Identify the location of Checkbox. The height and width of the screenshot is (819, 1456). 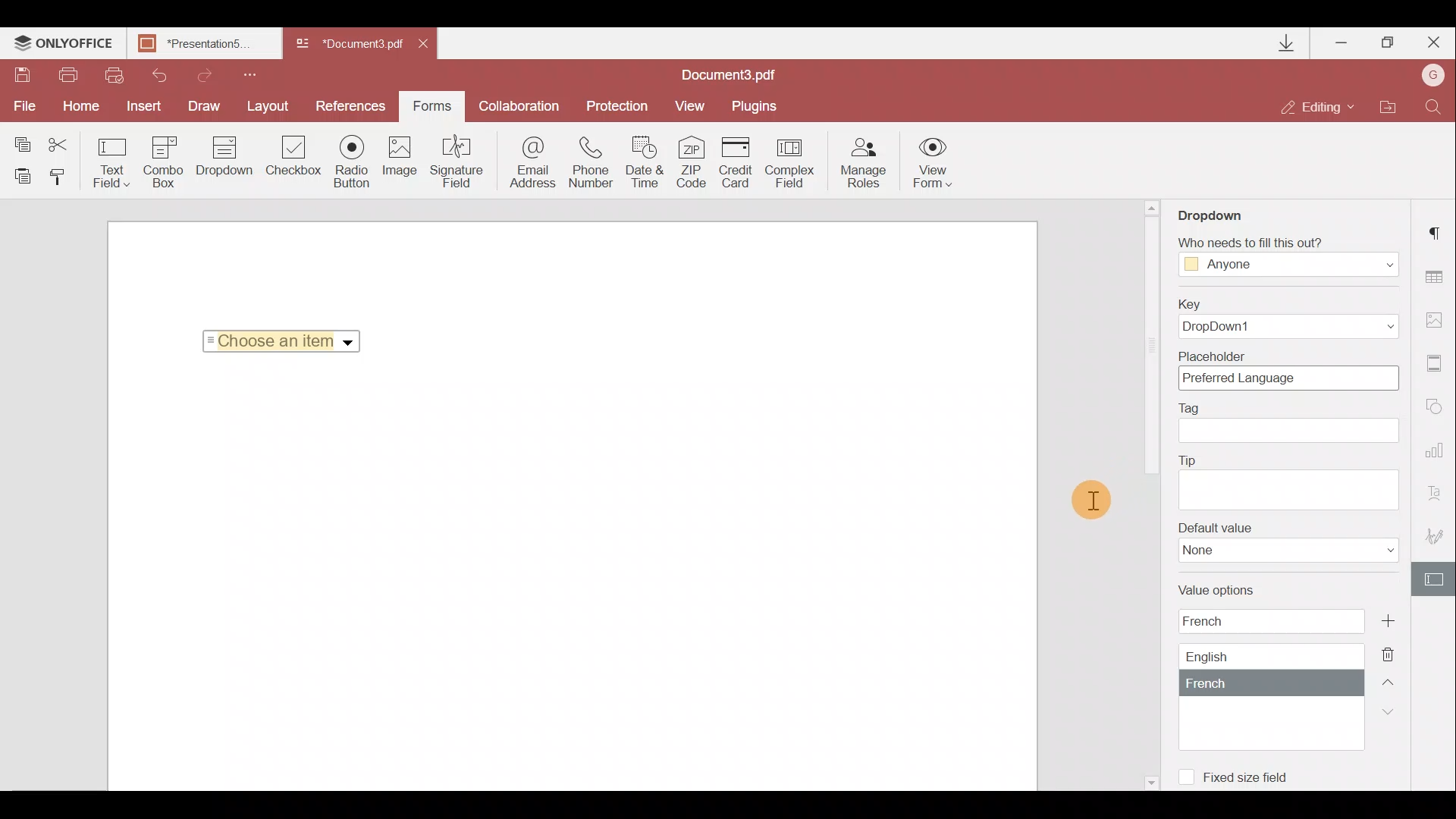
(291, 158).